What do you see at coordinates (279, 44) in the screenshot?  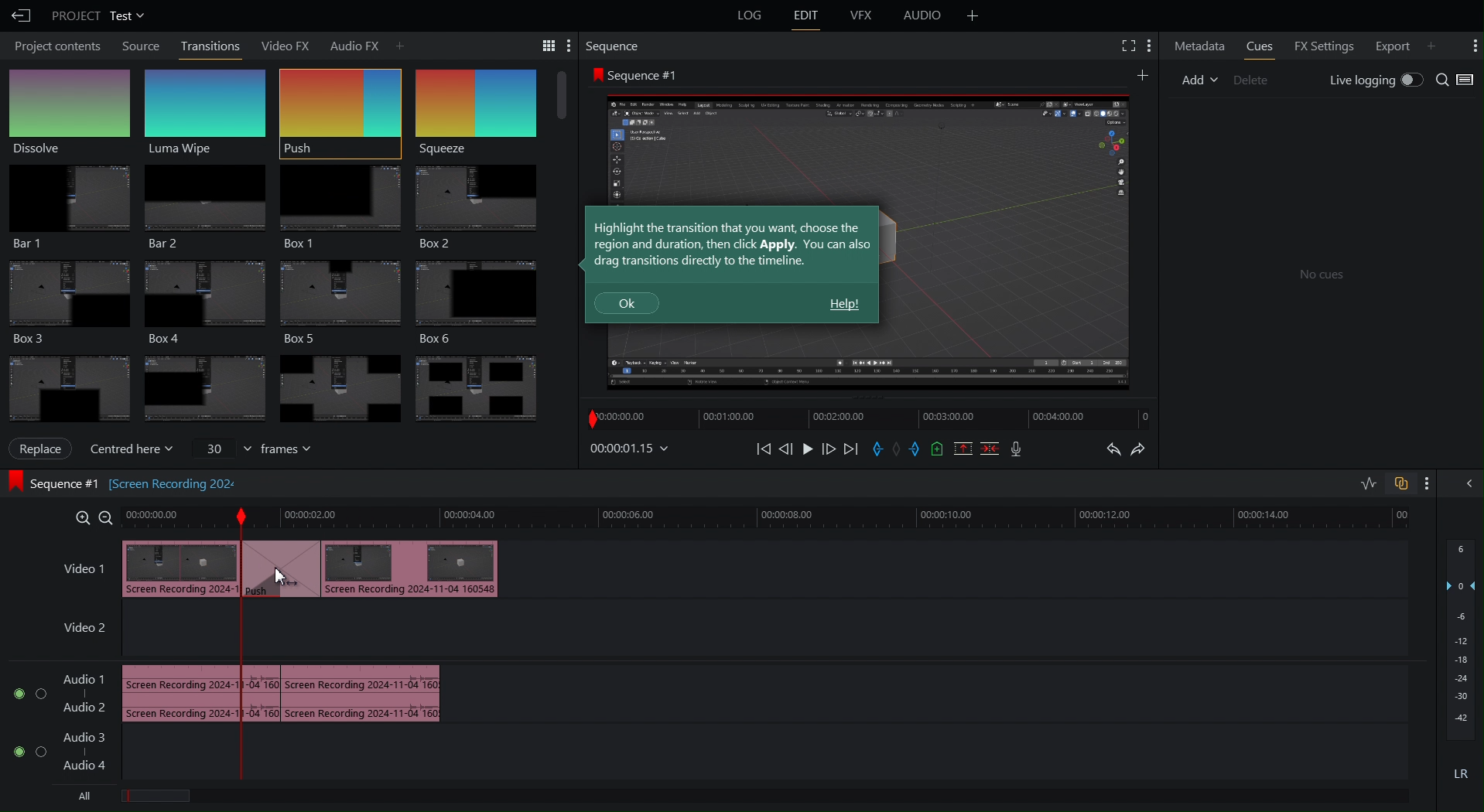 I see `Video FX` at bounding box center [279, 44].